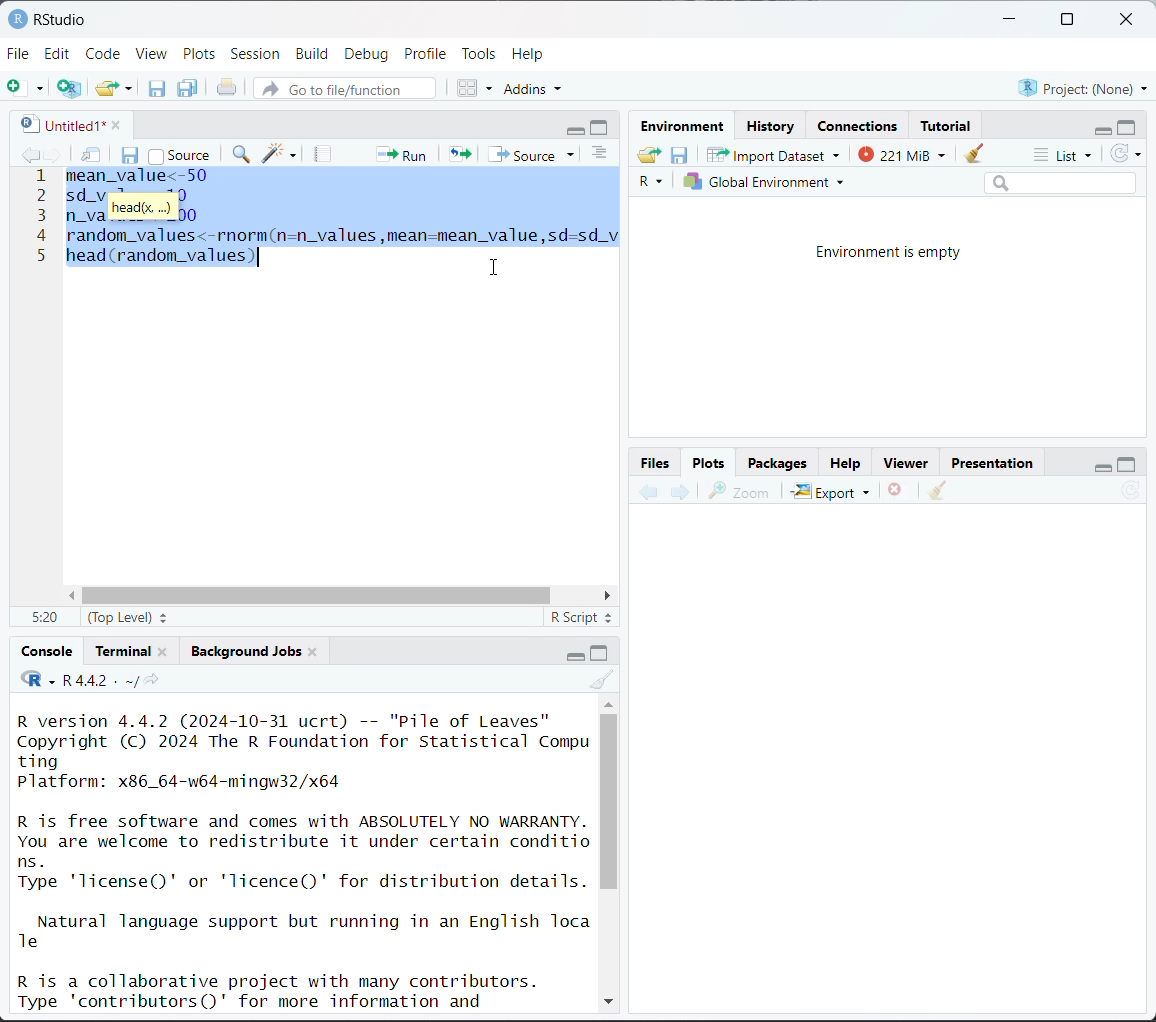 This screenshot has height=1022, width=1156. What do you see at coordinates (315, 54) in the screenshot?
I see `Build` at bounding box center [315, 54].